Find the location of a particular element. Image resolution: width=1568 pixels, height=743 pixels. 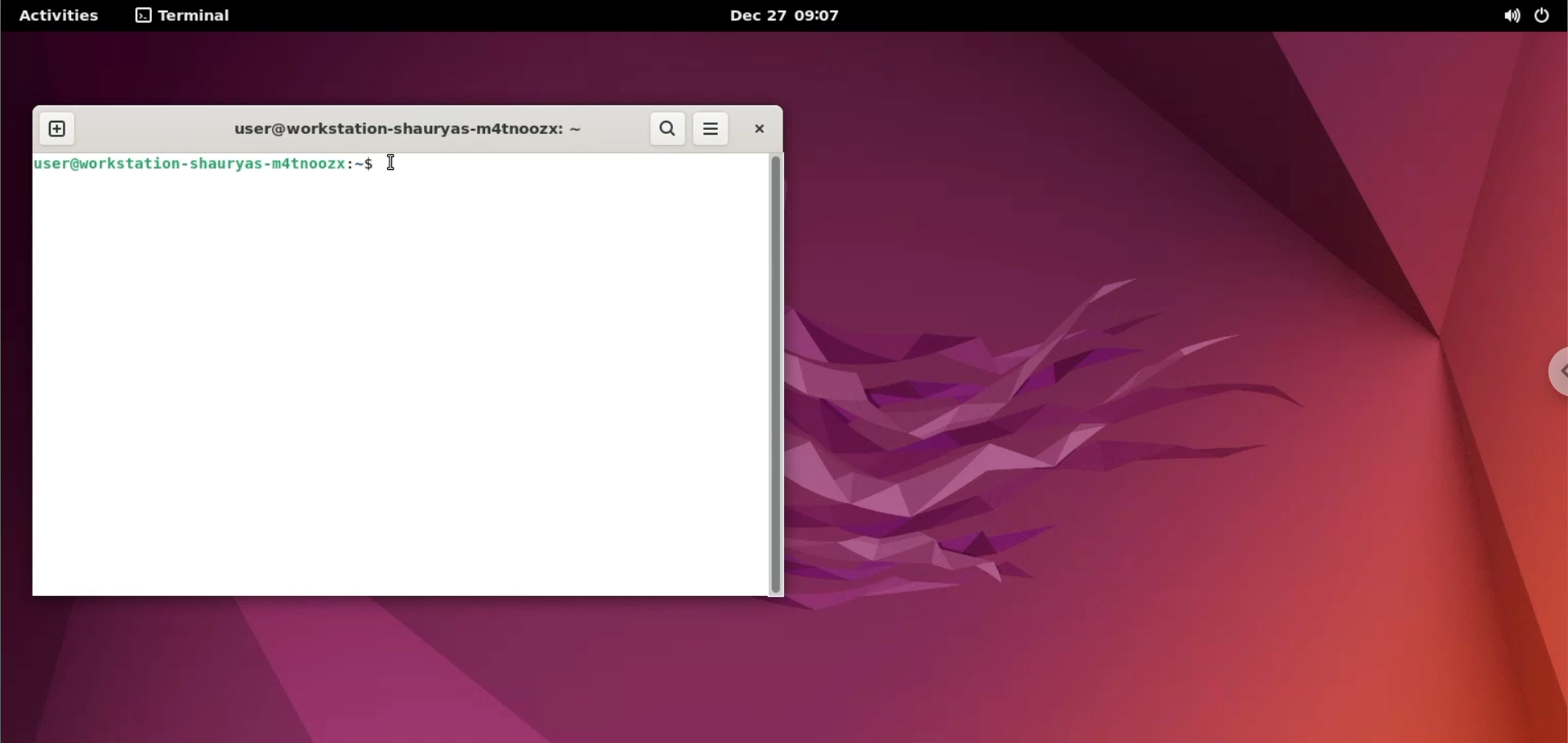

chrome options is located at coordinates (1553, 376).